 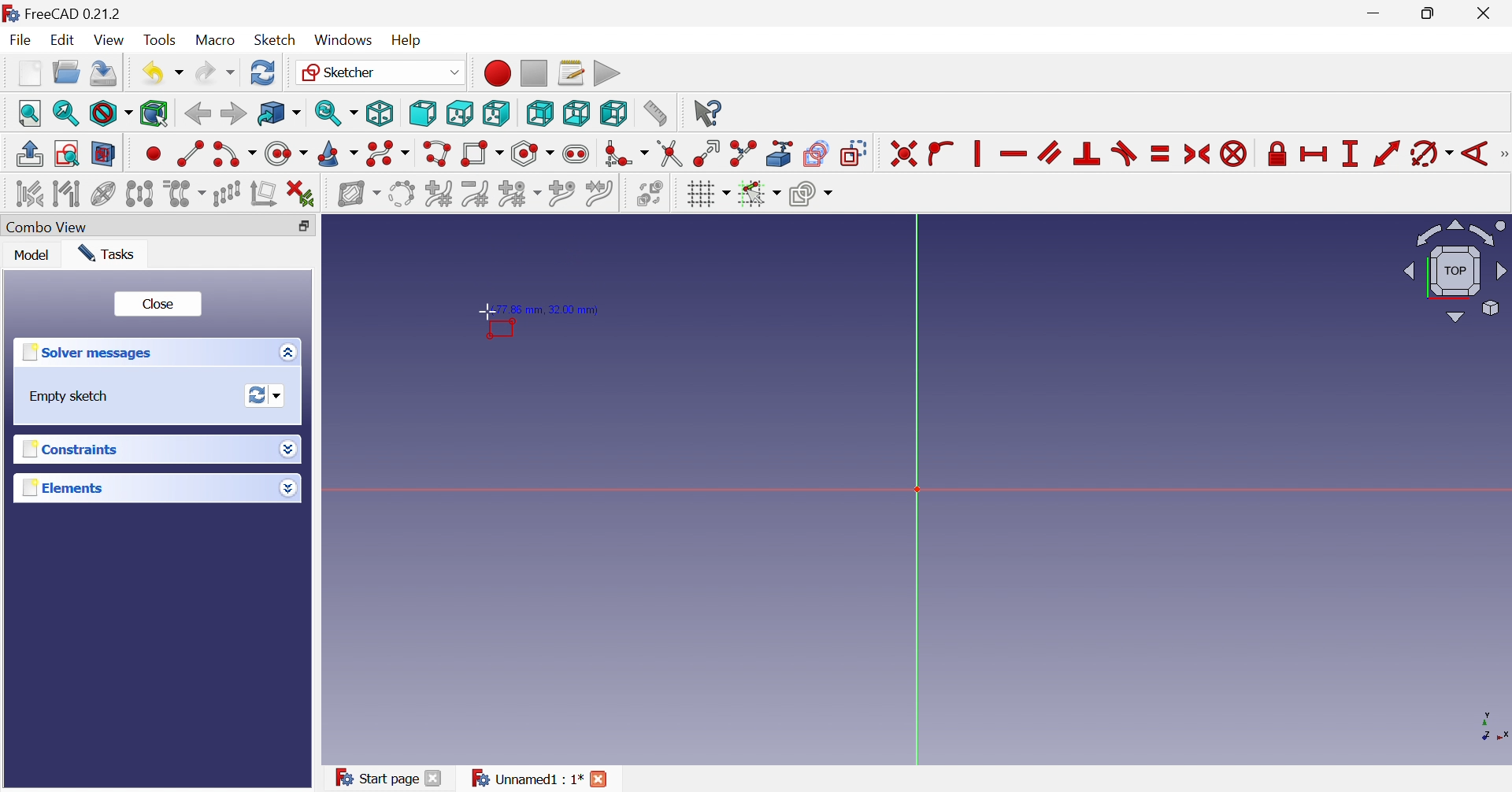 I want to click on Drop down, so click(x=287, y=447).